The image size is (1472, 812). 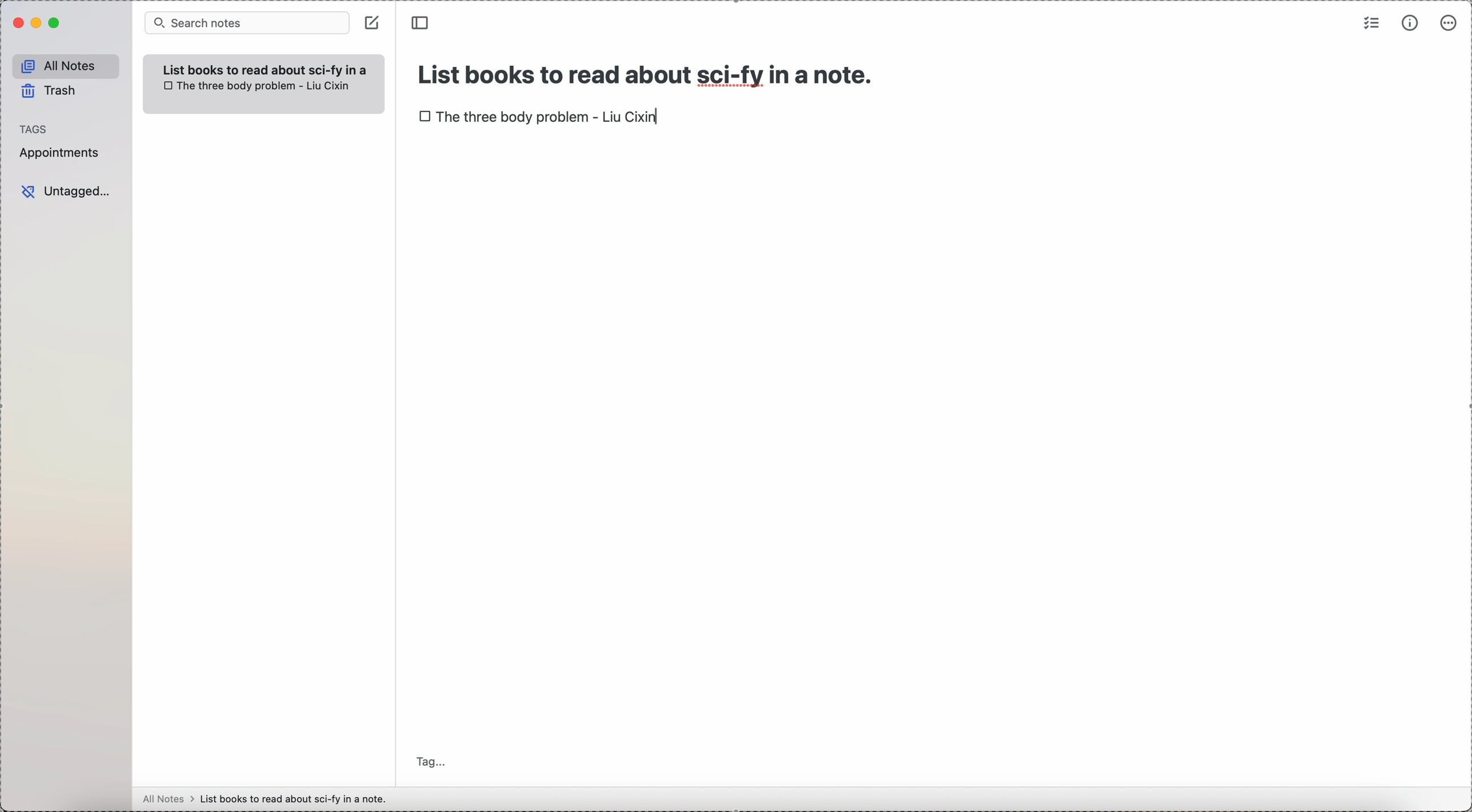 What do you see at coordinates (63, 64) in the screenshot?
I see `all notes` at bounding box center [63, 64].